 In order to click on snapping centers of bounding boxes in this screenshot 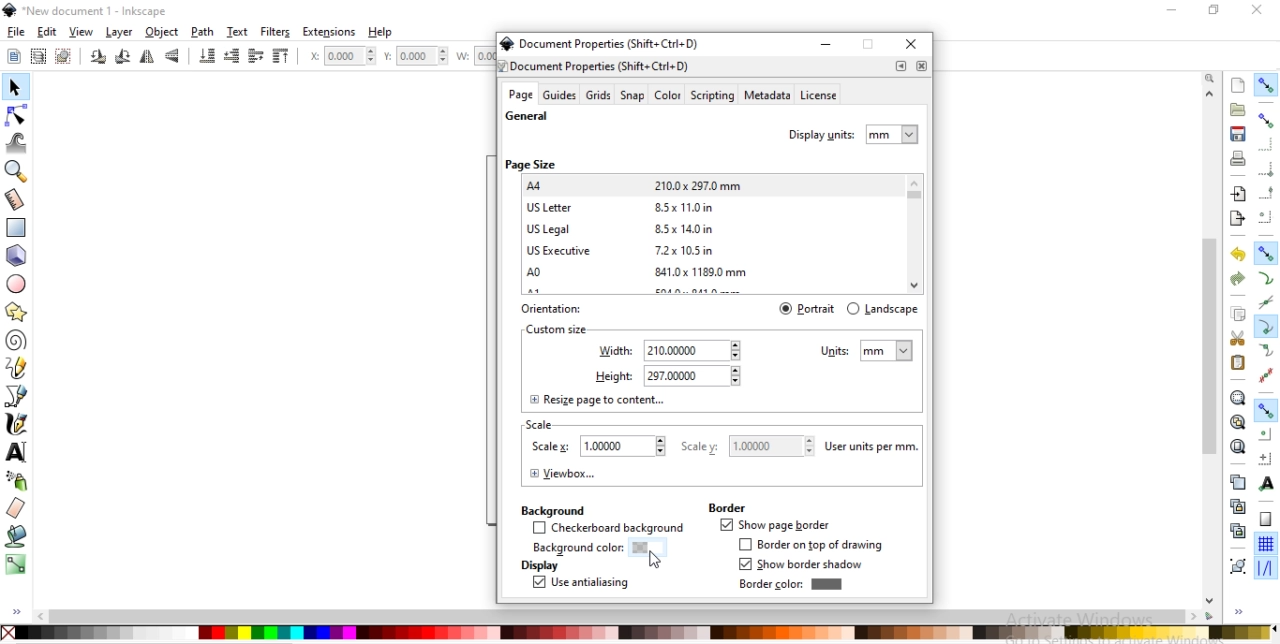, I will do `click(1265, 217)`.